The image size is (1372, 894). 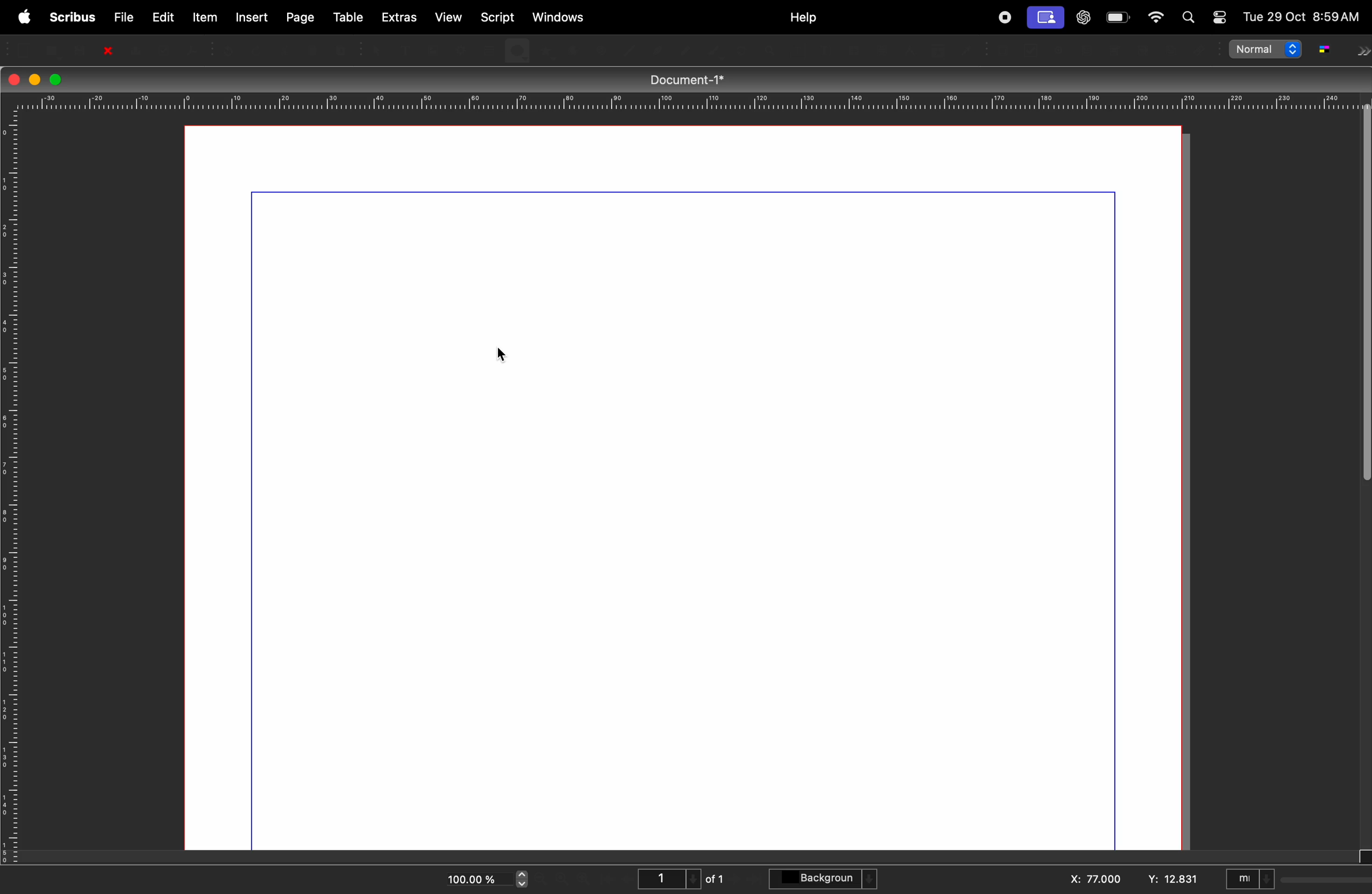 I want to click on Print, so click(x=134, y=50).